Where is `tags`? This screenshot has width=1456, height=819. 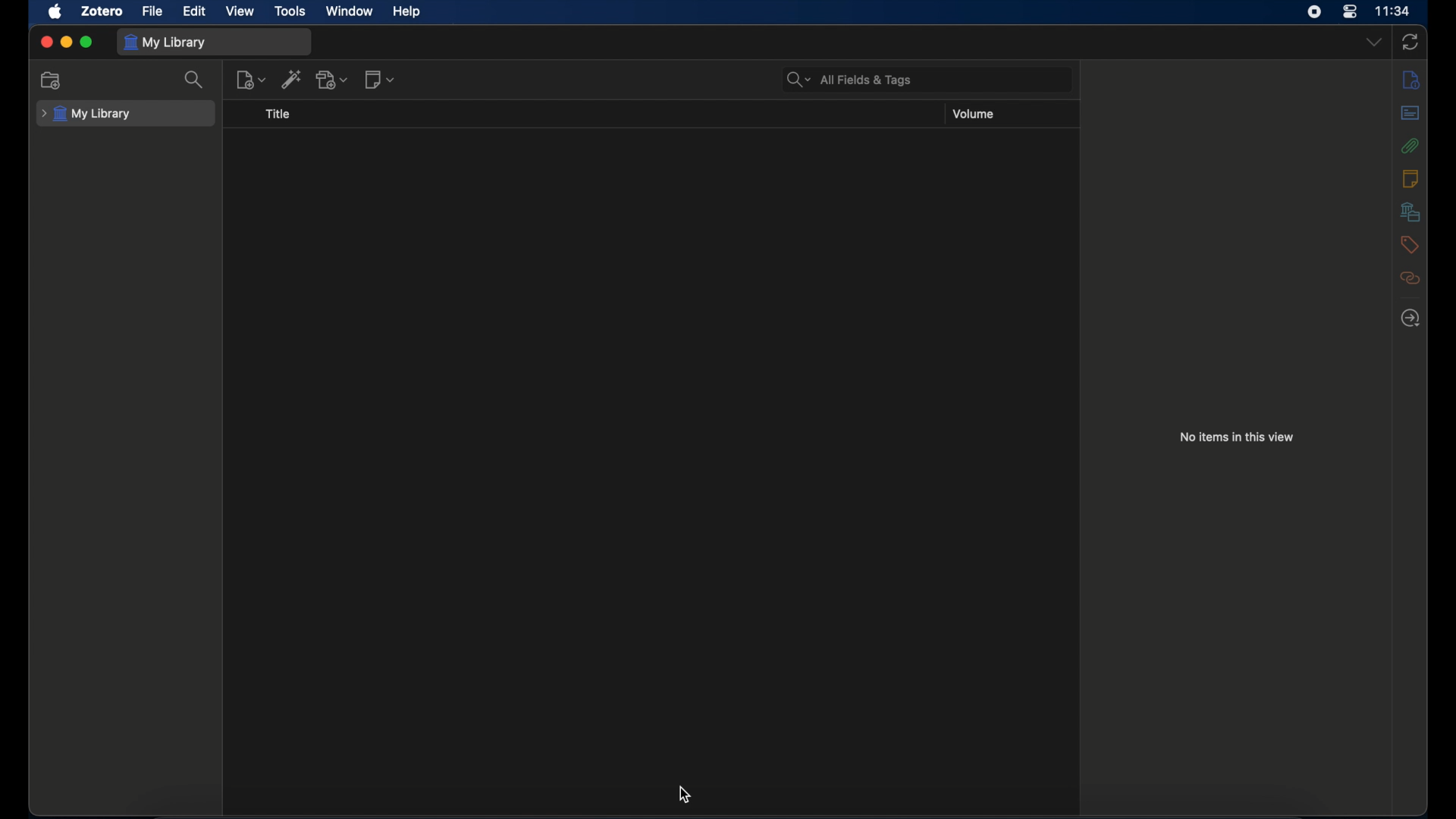 tags is located at coordinates (1410, 245).